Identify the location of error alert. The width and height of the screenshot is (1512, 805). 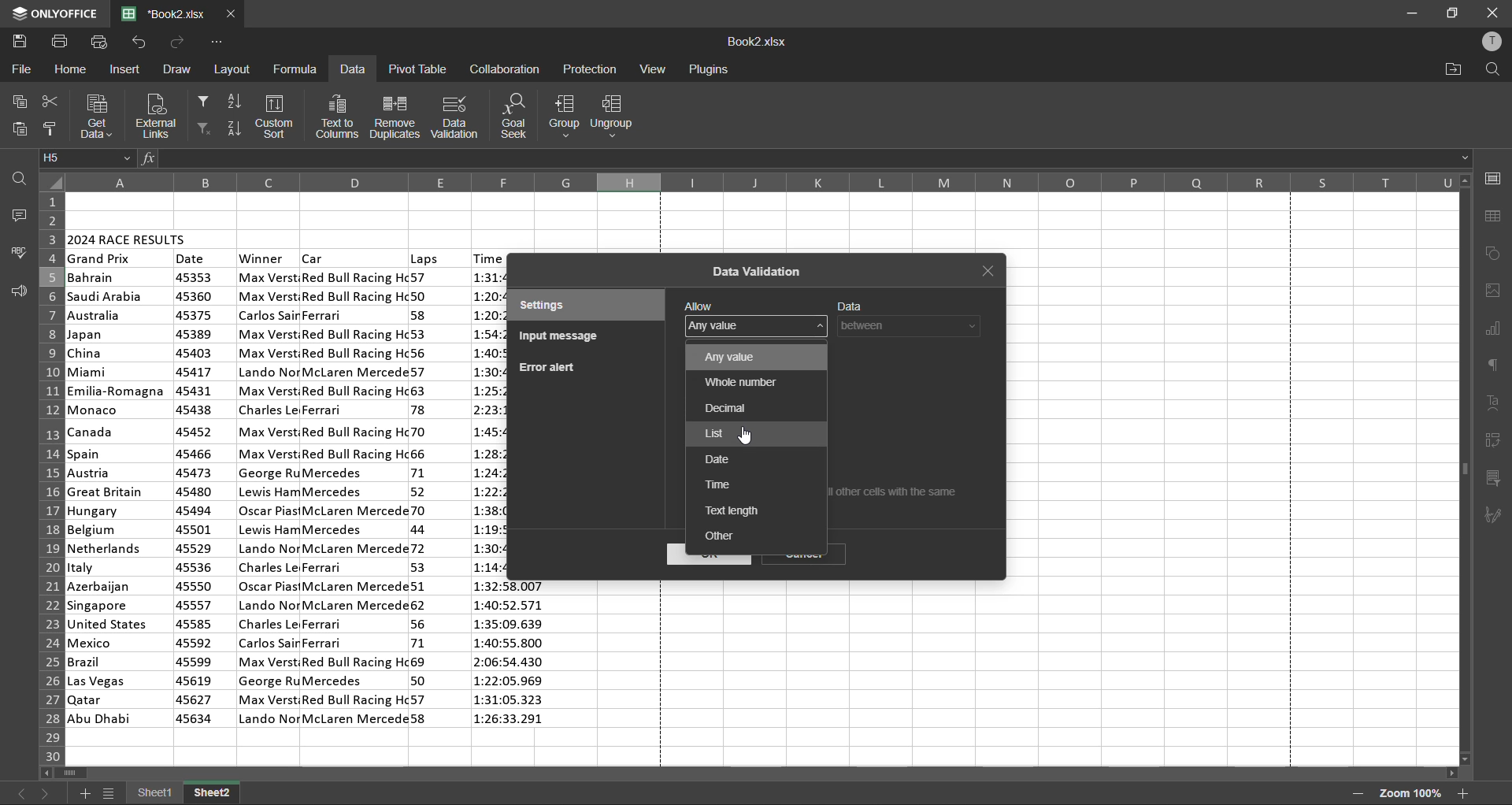
(547, 368).